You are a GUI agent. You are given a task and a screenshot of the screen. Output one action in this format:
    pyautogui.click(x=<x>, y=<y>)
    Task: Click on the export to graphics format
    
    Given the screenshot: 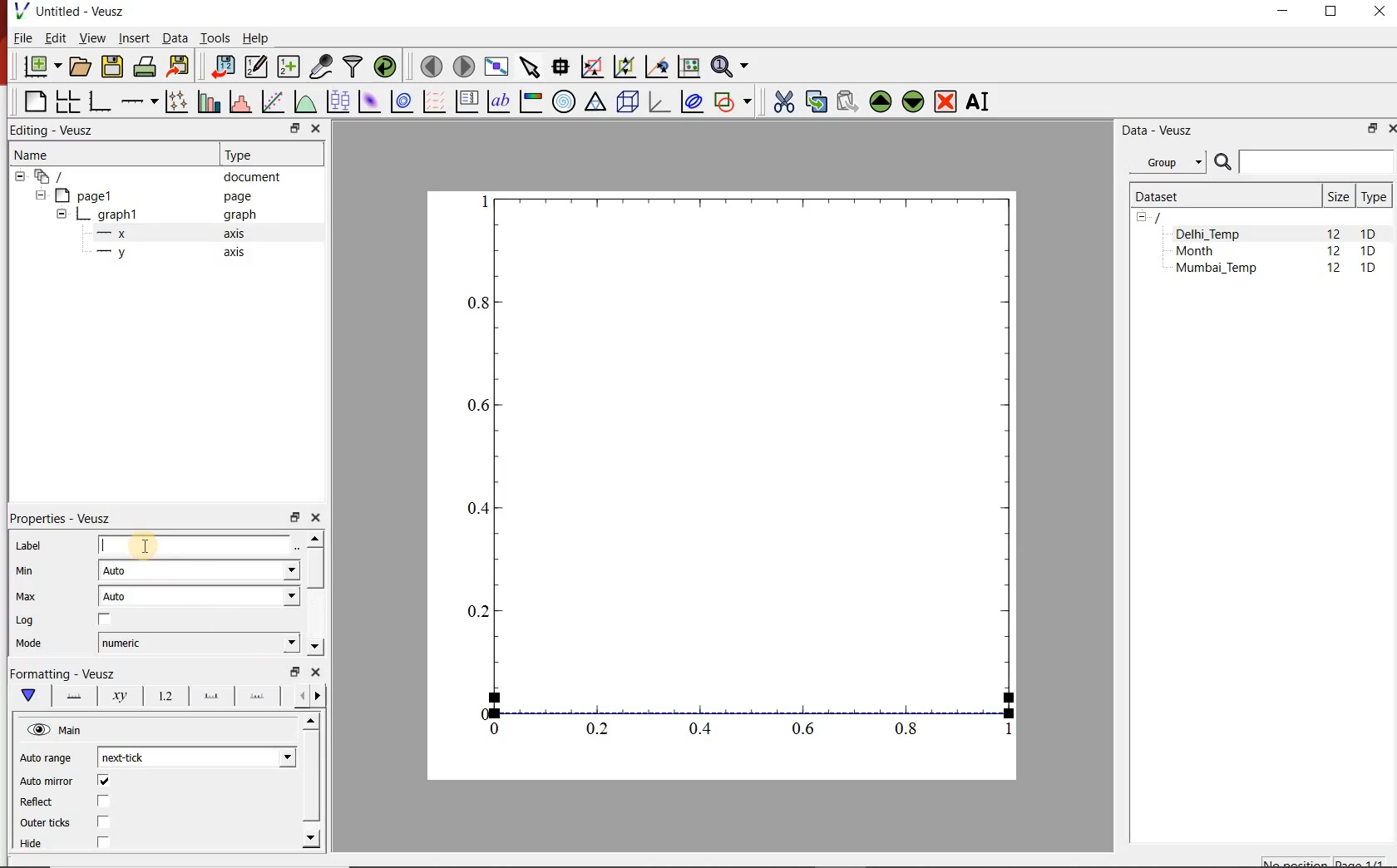 What is the action you would take?
    pyautogui.click(x=180, y=67)
    